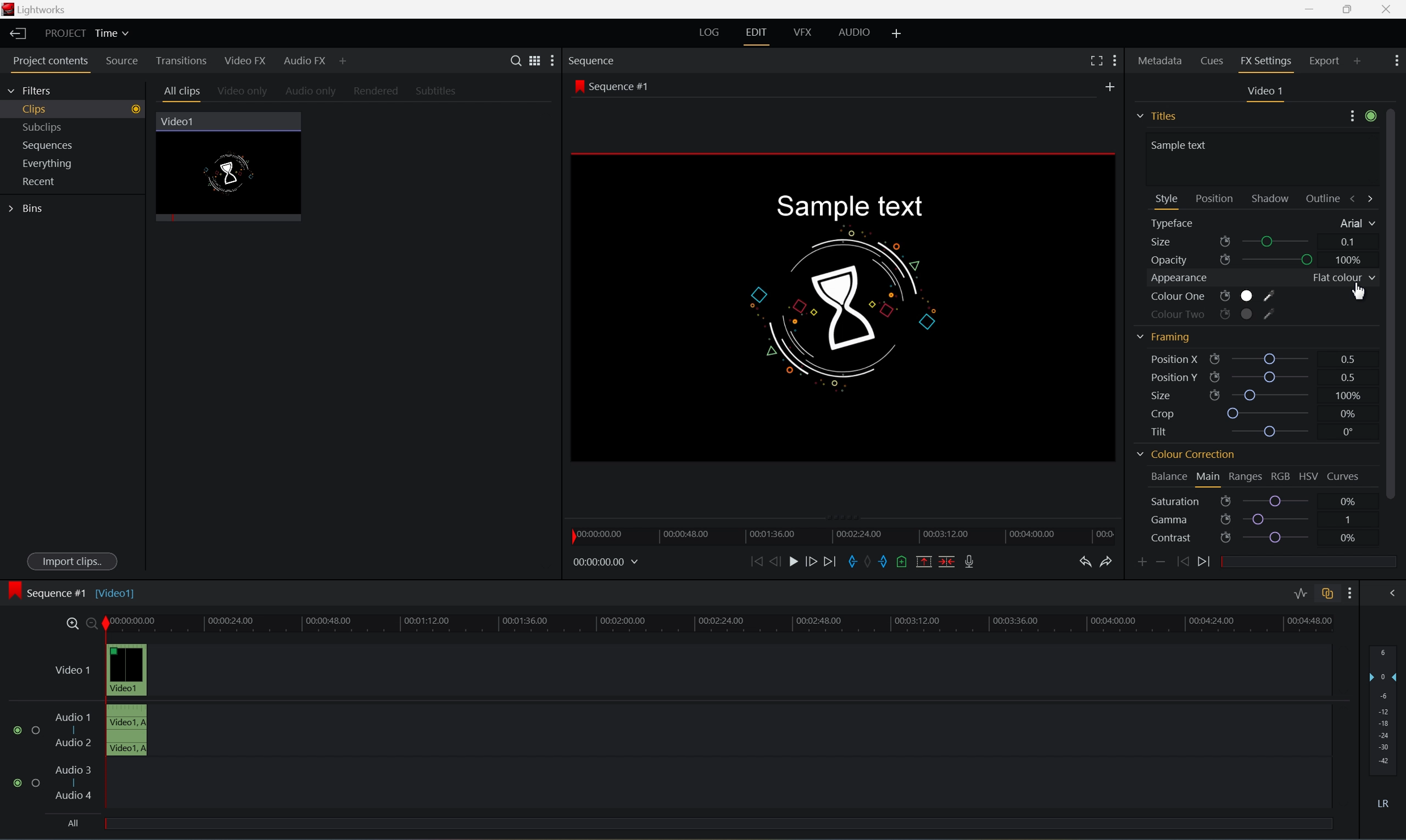 The height and width of the screenshot is (840, 1406). I want to click on minimize, so click(1309, 8).